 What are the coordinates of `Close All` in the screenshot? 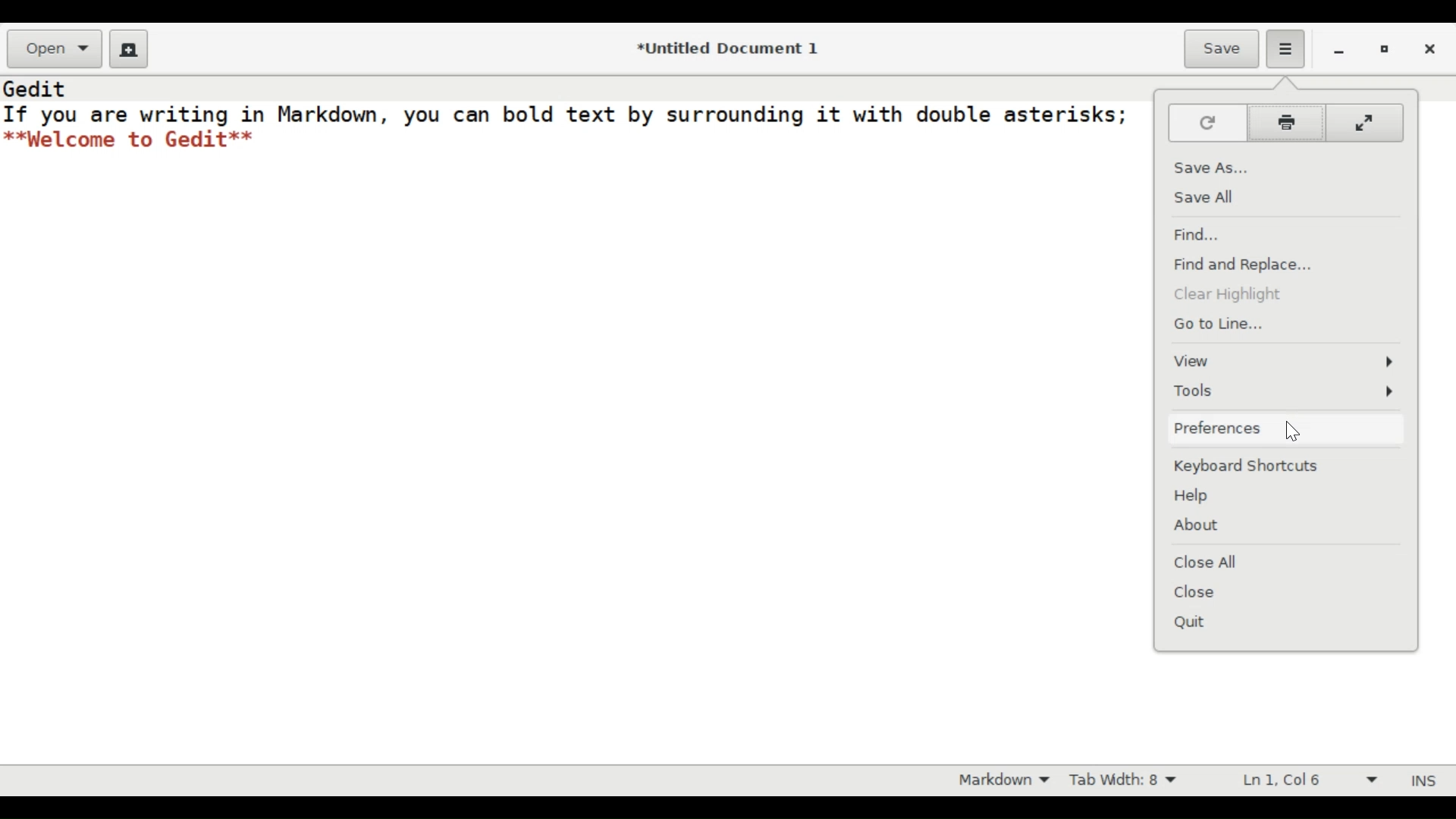 It's located at (1219, 560).